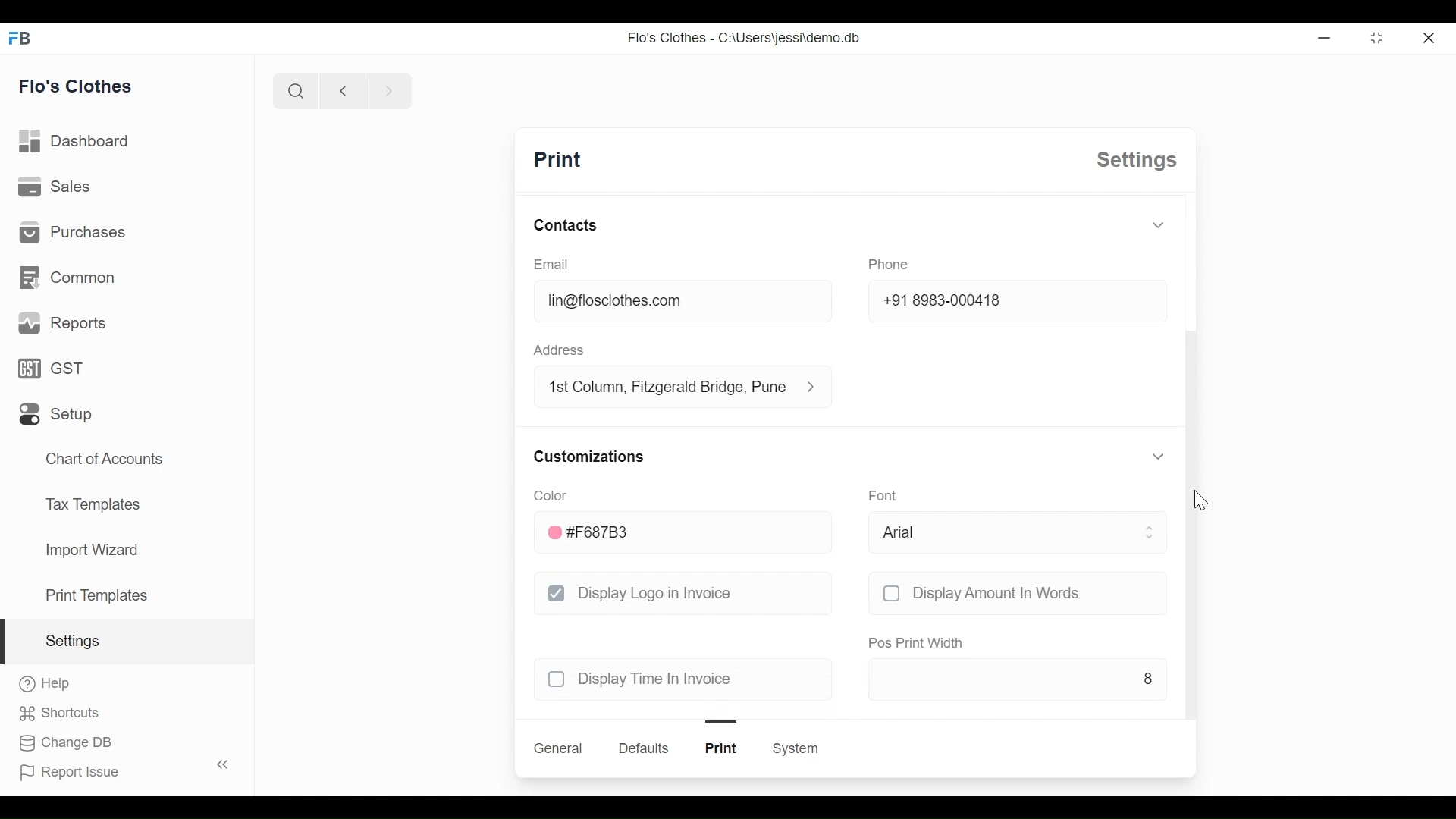 This screenshot has height=819, width=1456. Describe the element at coordinates (59, 714) in the screenshot. I see `shortcuts` at that location.